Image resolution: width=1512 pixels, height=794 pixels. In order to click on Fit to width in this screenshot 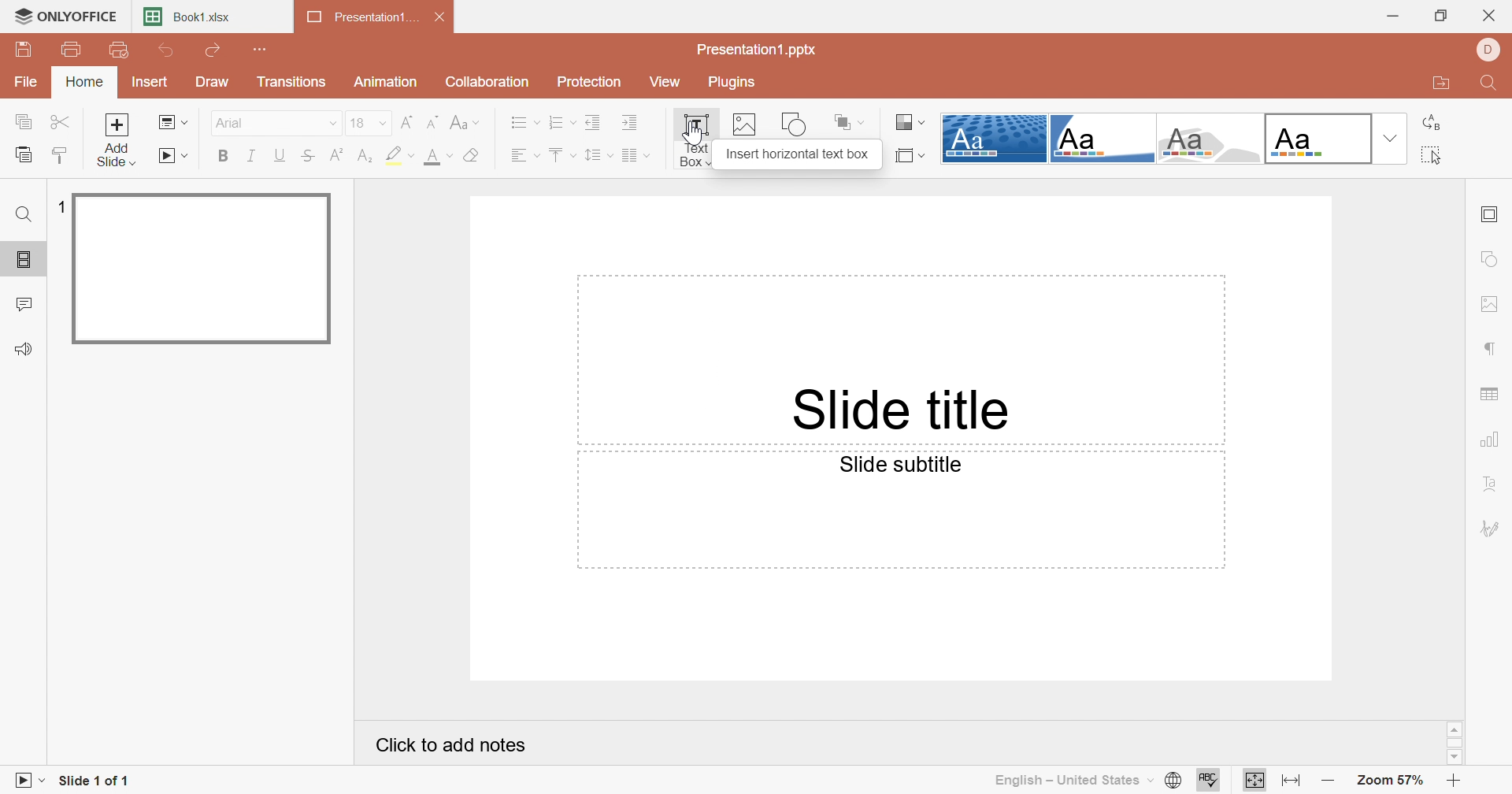, I will do `click(1293, 781)`.